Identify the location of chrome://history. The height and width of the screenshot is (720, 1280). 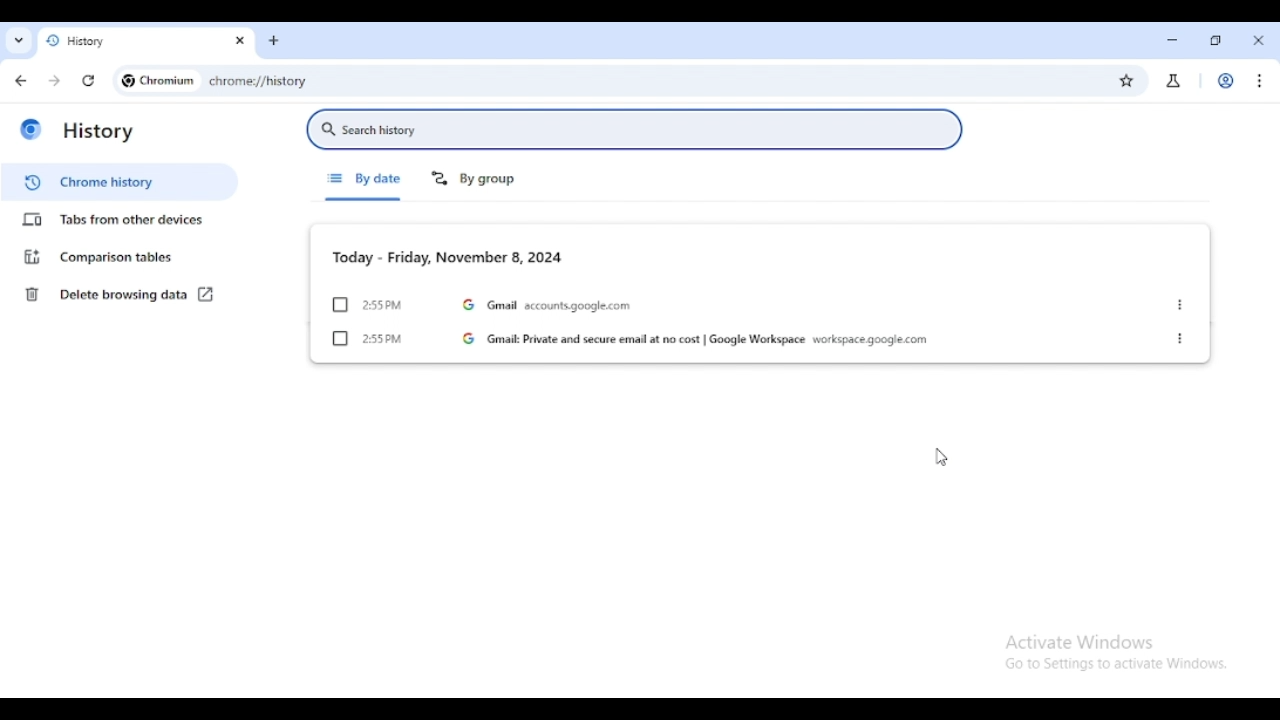
(636, 81).